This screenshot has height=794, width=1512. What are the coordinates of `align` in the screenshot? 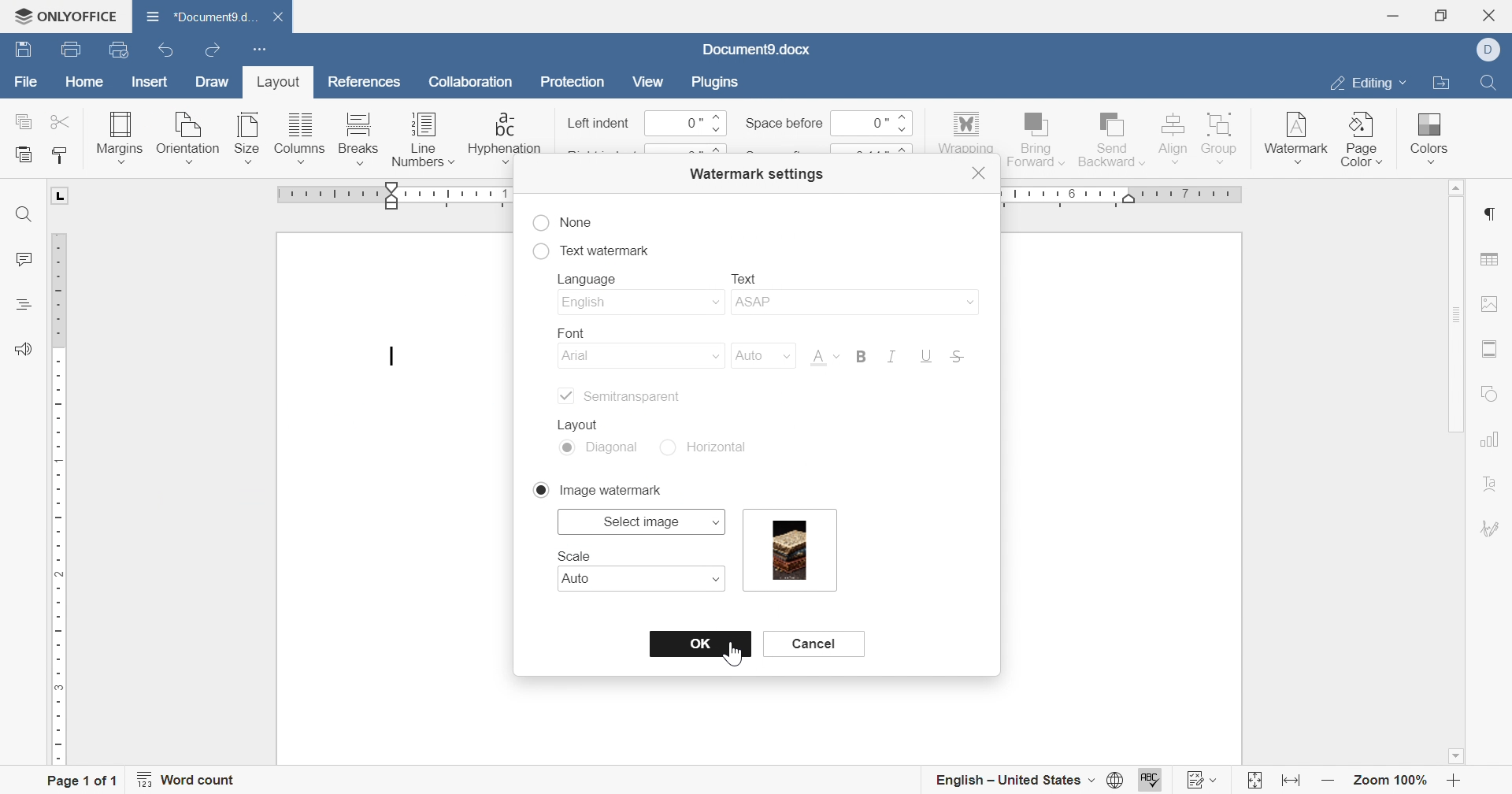 It's located at (1172, 136).